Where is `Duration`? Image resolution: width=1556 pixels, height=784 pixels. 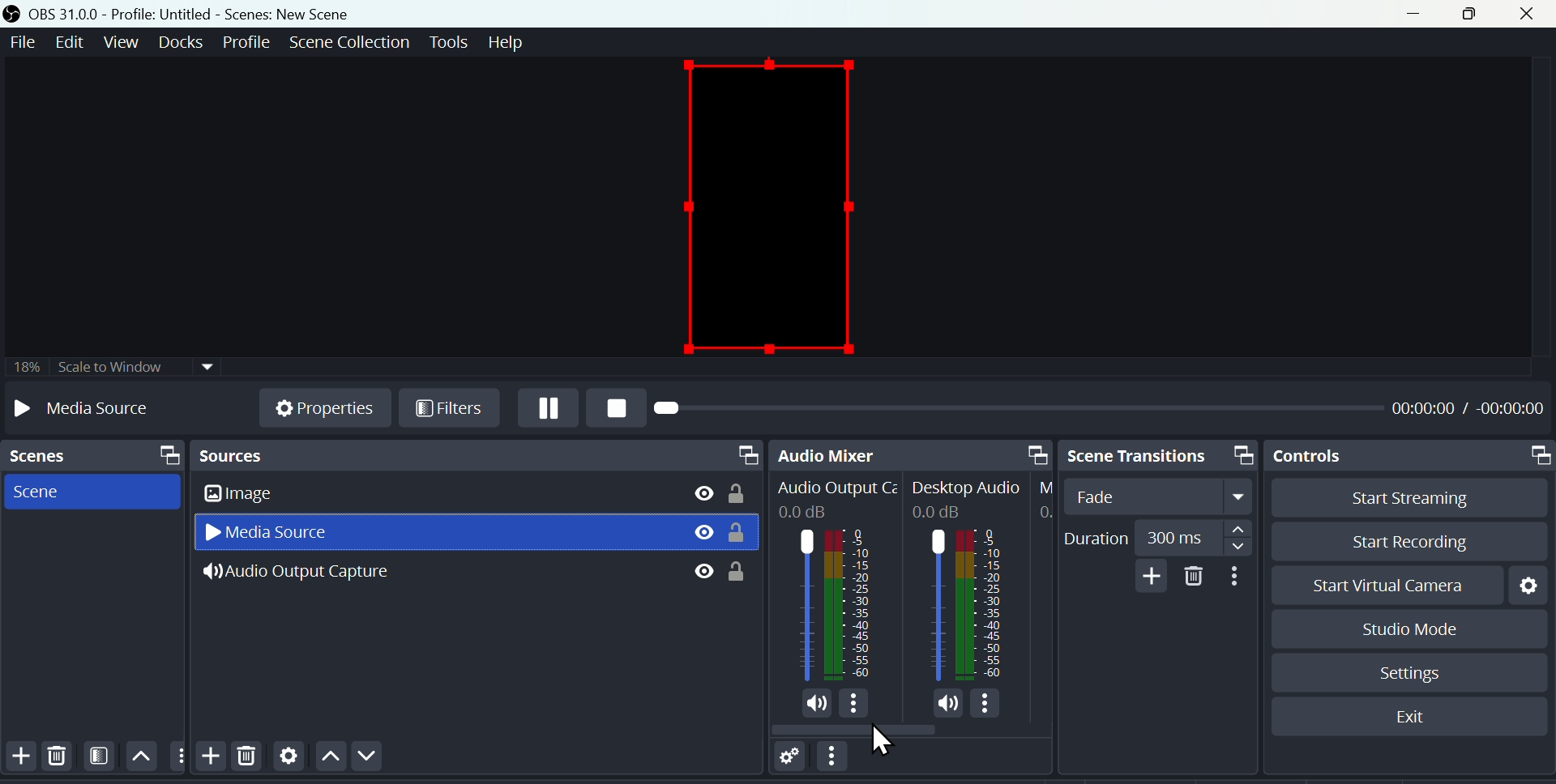
Duration is located at coordinates (1153, 535).